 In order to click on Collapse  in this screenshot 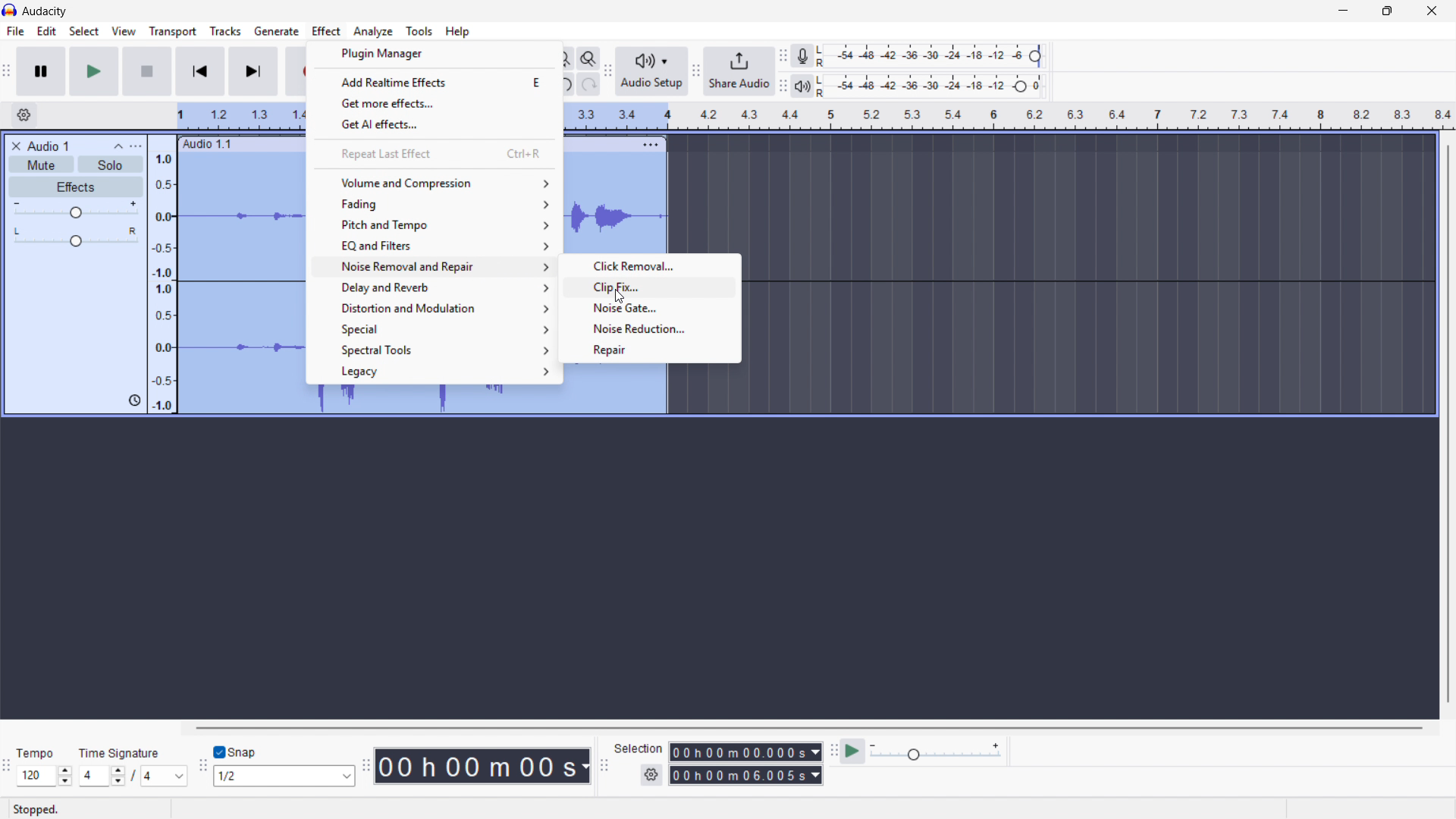, I will do `click(118, 146)`.